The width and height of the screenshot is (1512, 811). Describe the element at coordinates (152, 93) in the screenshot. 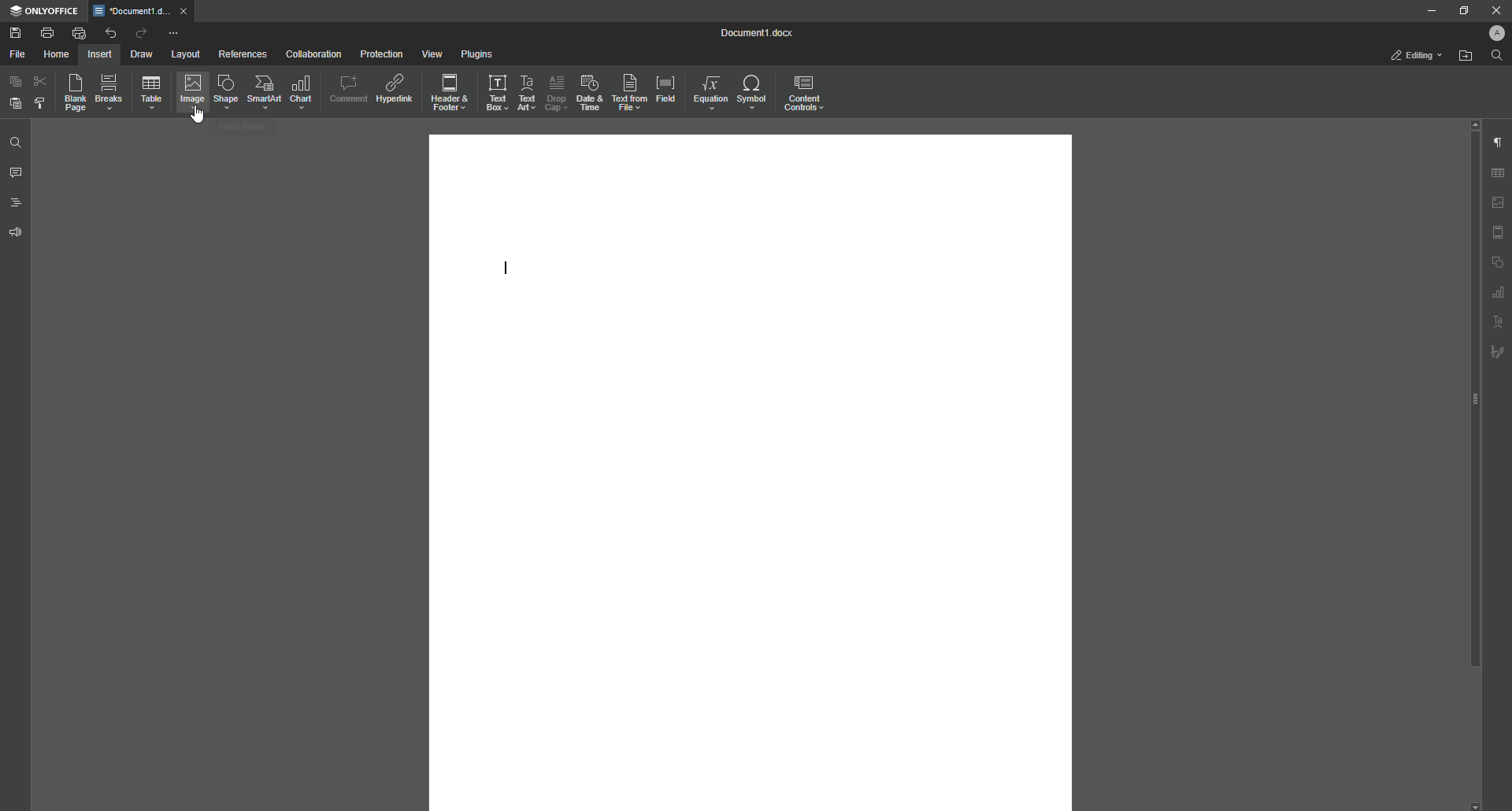

I see `Table` at that location.